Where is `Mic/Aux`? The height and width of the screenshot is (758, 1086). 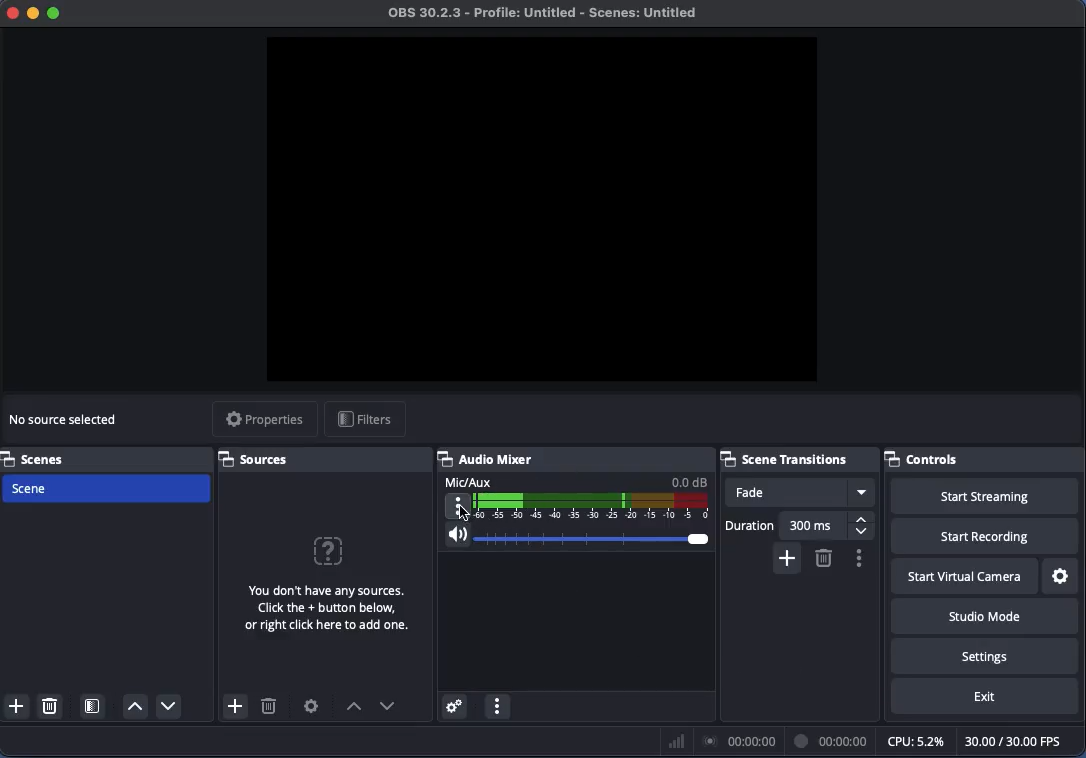
Mic/Aux is located at coordinates (470, 481).